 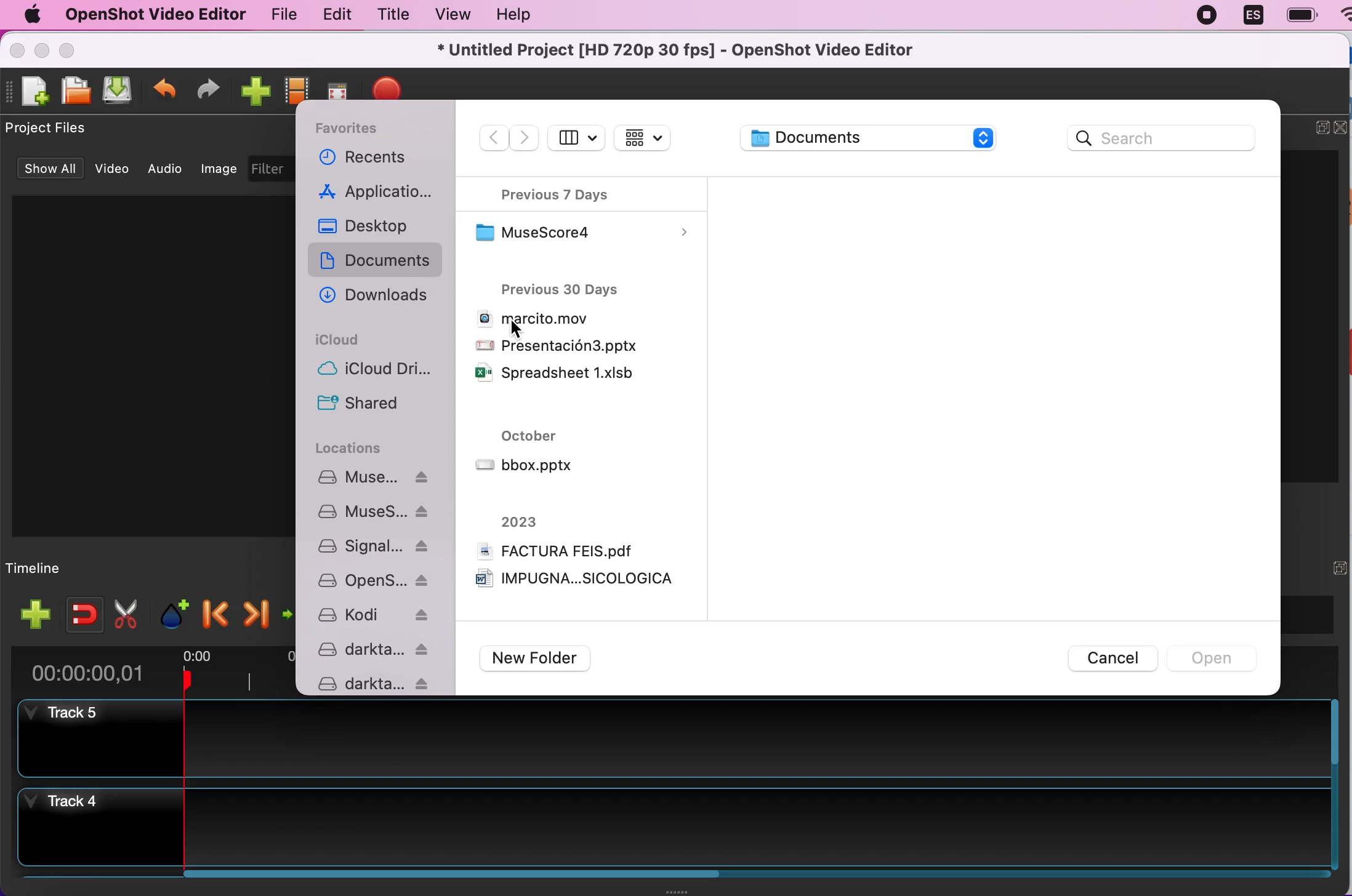 What do you see at coordinates (281, 15) in the screenshot?
I see `file` at bounding box center [281, 15].